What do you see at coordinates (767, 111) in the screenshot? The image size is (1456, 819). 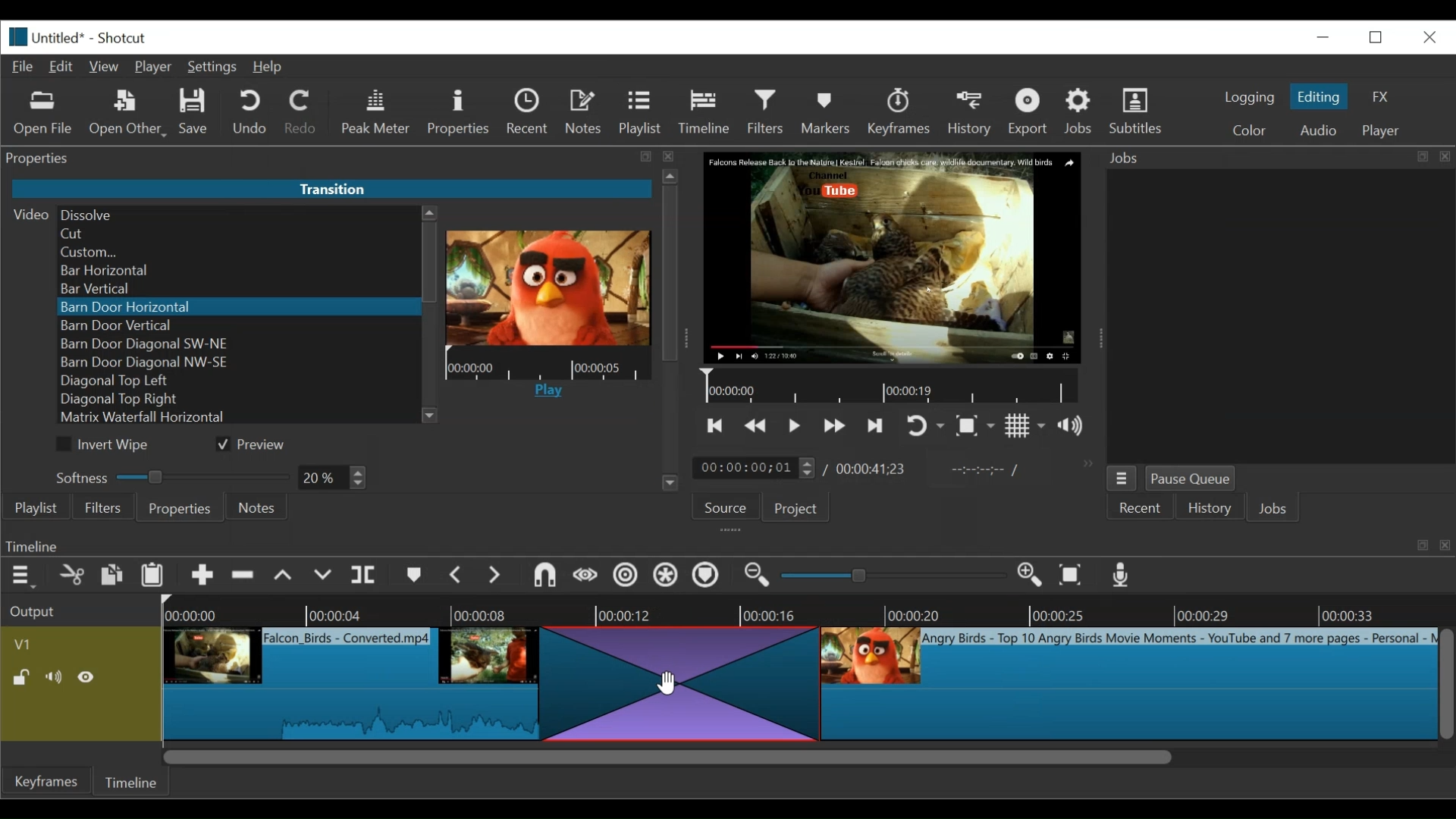 I see `Filters` at bounding box center [767, 111].